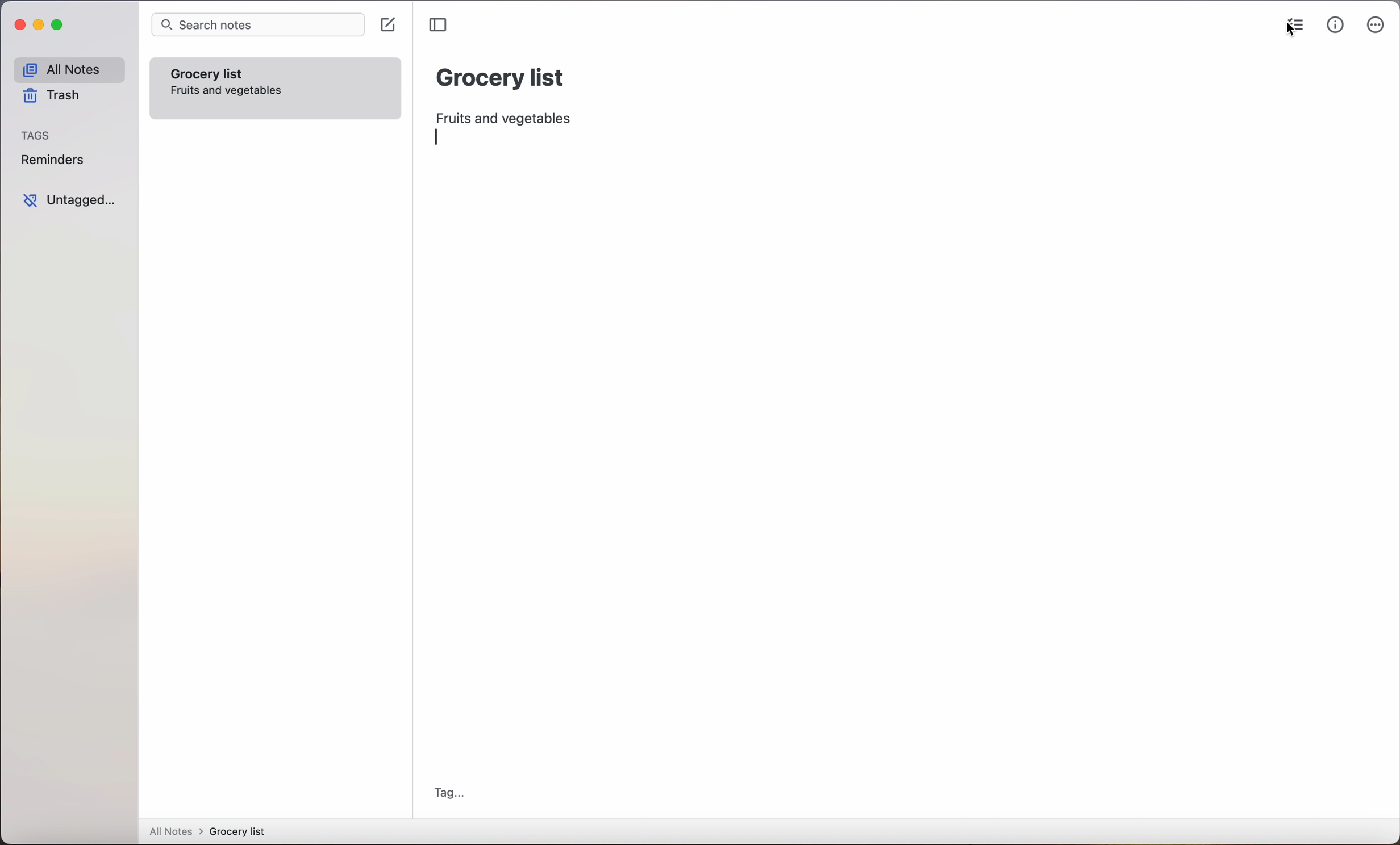  What do you see at coordinates (440, 25) in the screenshot?
I see `toggle sidebar` at bounding box center [440, 25].